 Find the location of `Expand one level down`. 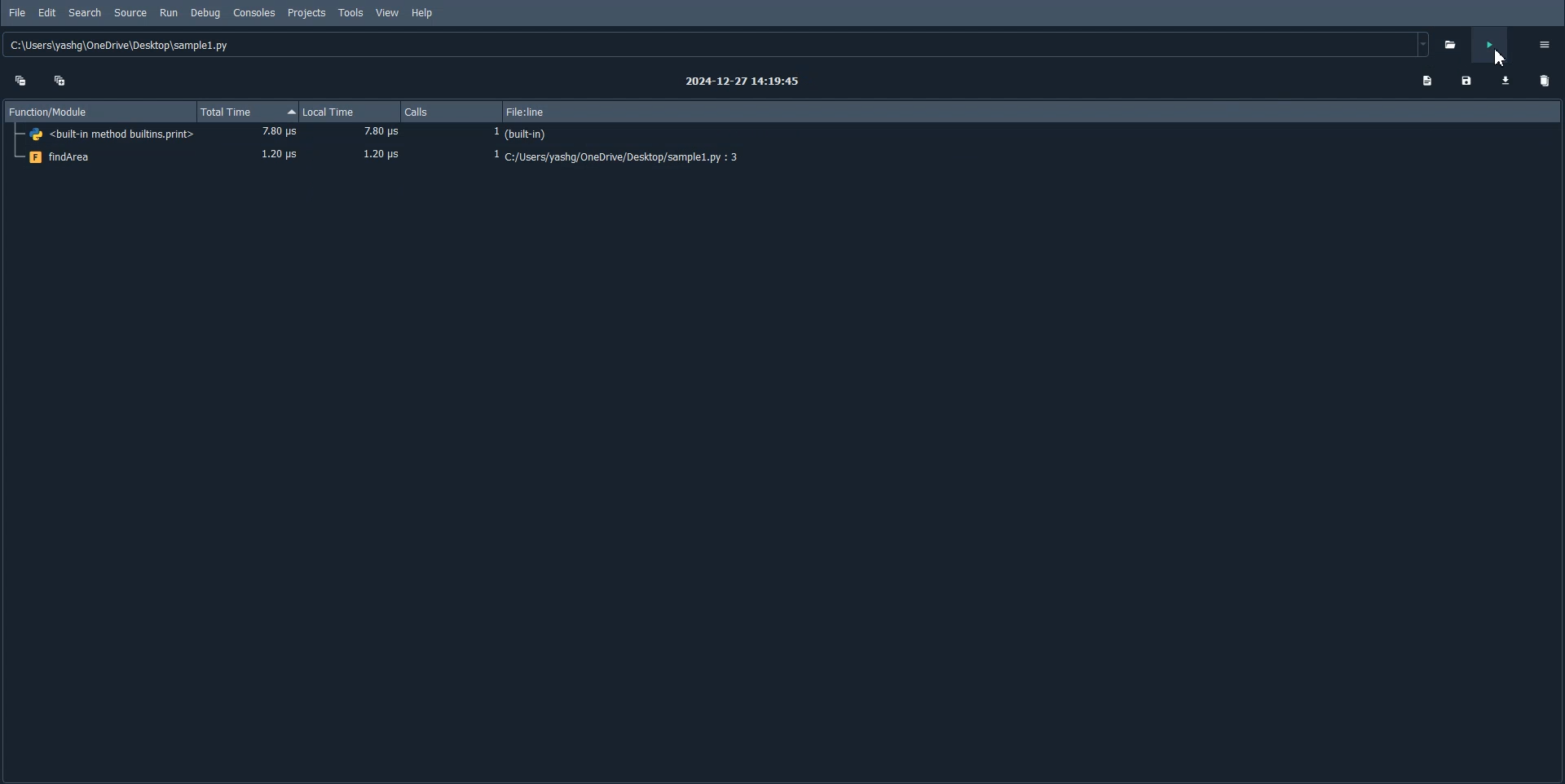

Expand one level down is located at coordinates (61, 79).